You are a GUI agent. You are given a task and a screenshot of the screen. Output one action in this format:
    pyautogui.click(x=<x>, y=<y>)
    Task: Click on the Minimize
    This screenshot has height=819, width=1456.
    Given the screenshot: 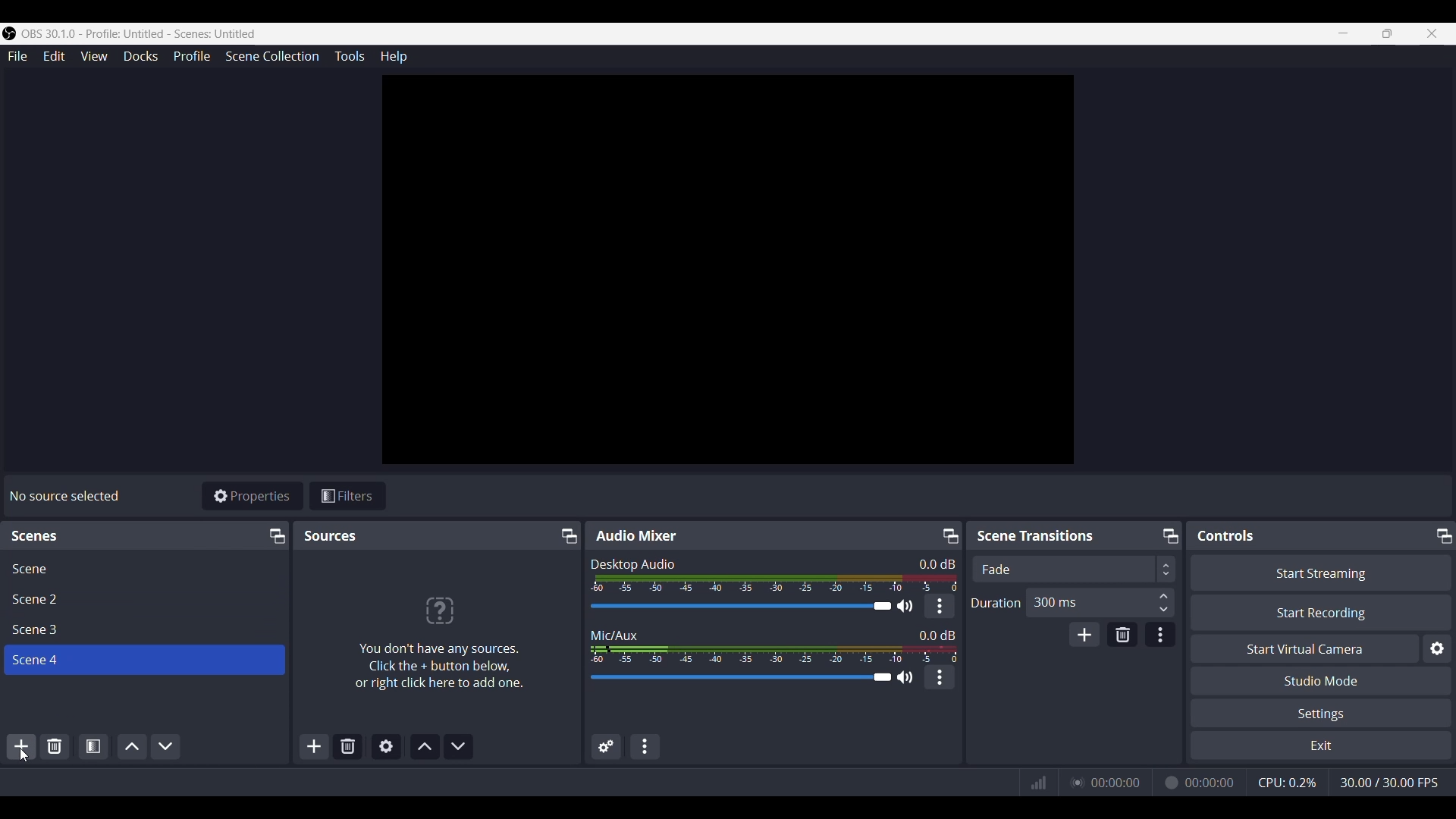 What is the action you would take?
    pyautogui.click(x=948, y=535)
    